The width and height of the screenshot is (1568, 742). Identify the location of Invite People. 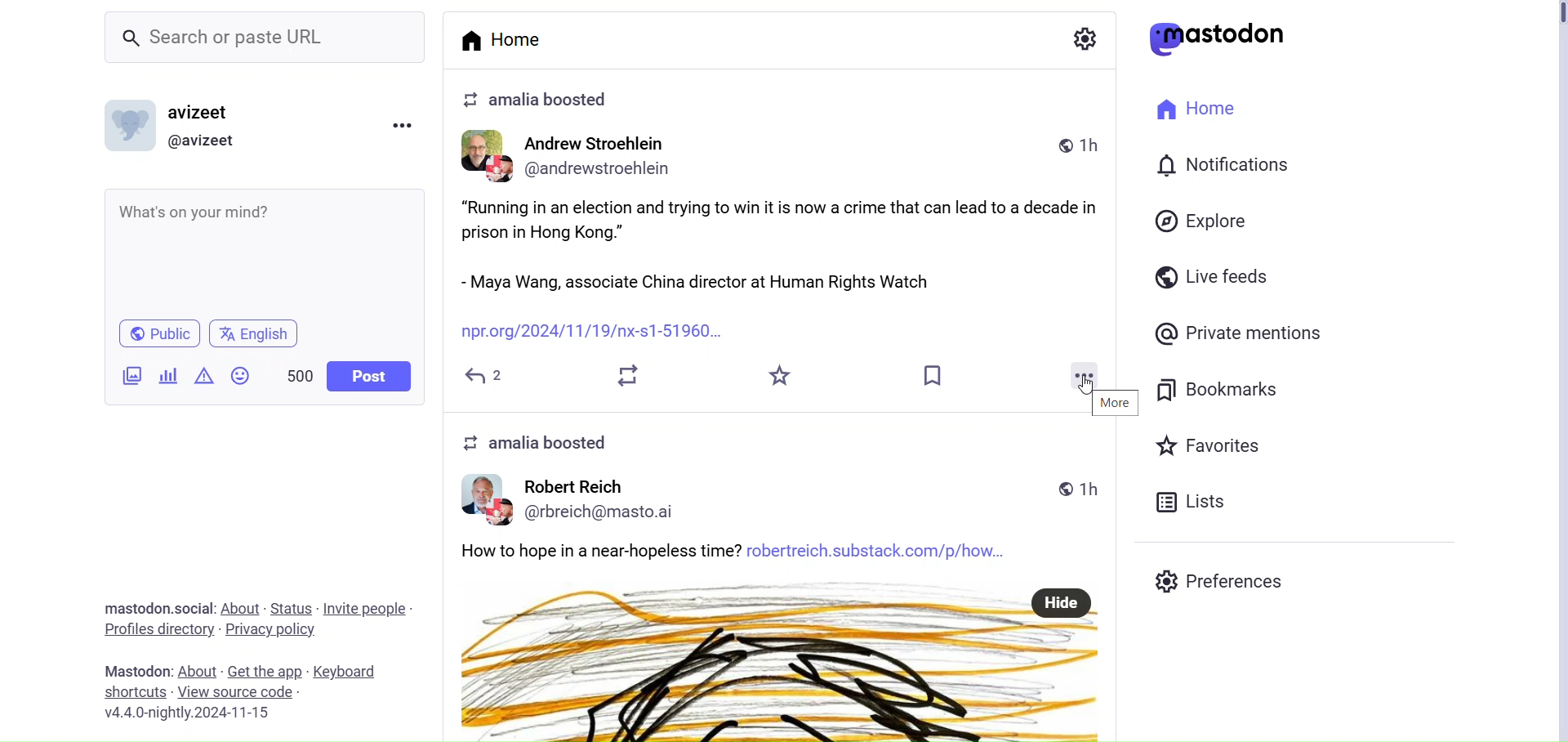
(366, 607).